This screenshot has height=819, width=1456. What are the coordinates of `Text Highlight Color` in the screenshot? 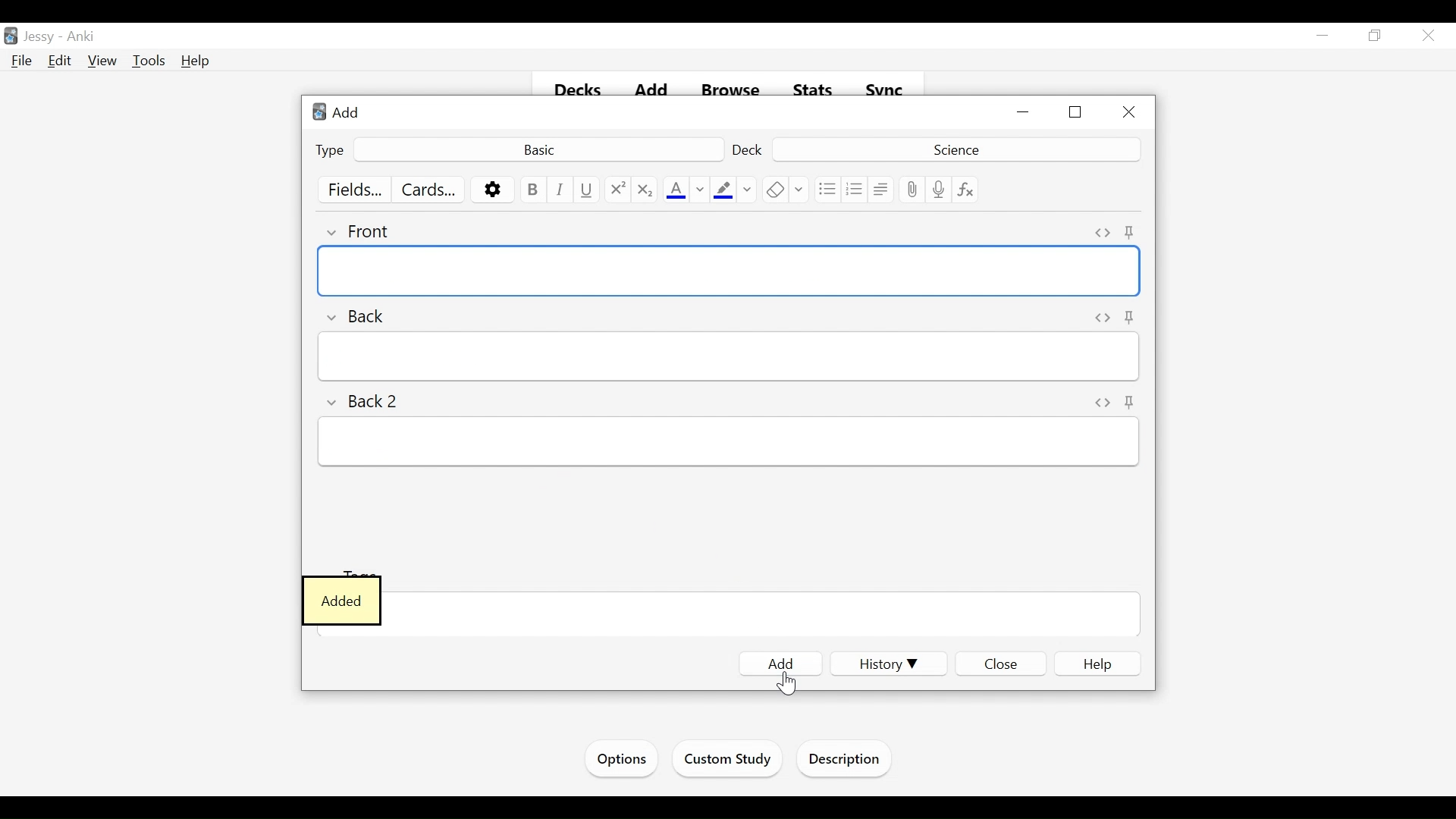 It's located at (722, 190).